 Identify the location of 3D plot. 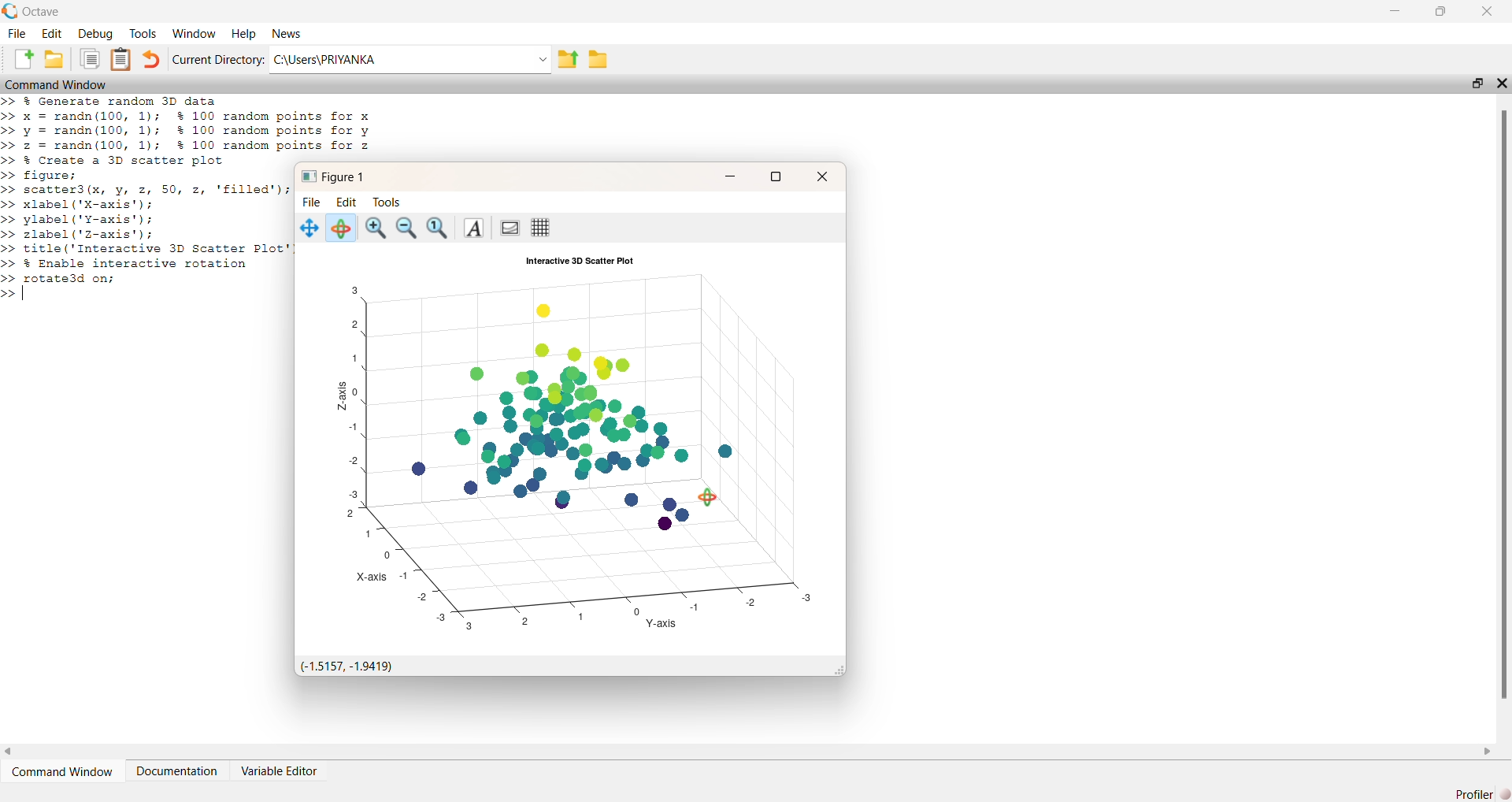
(578, 450).